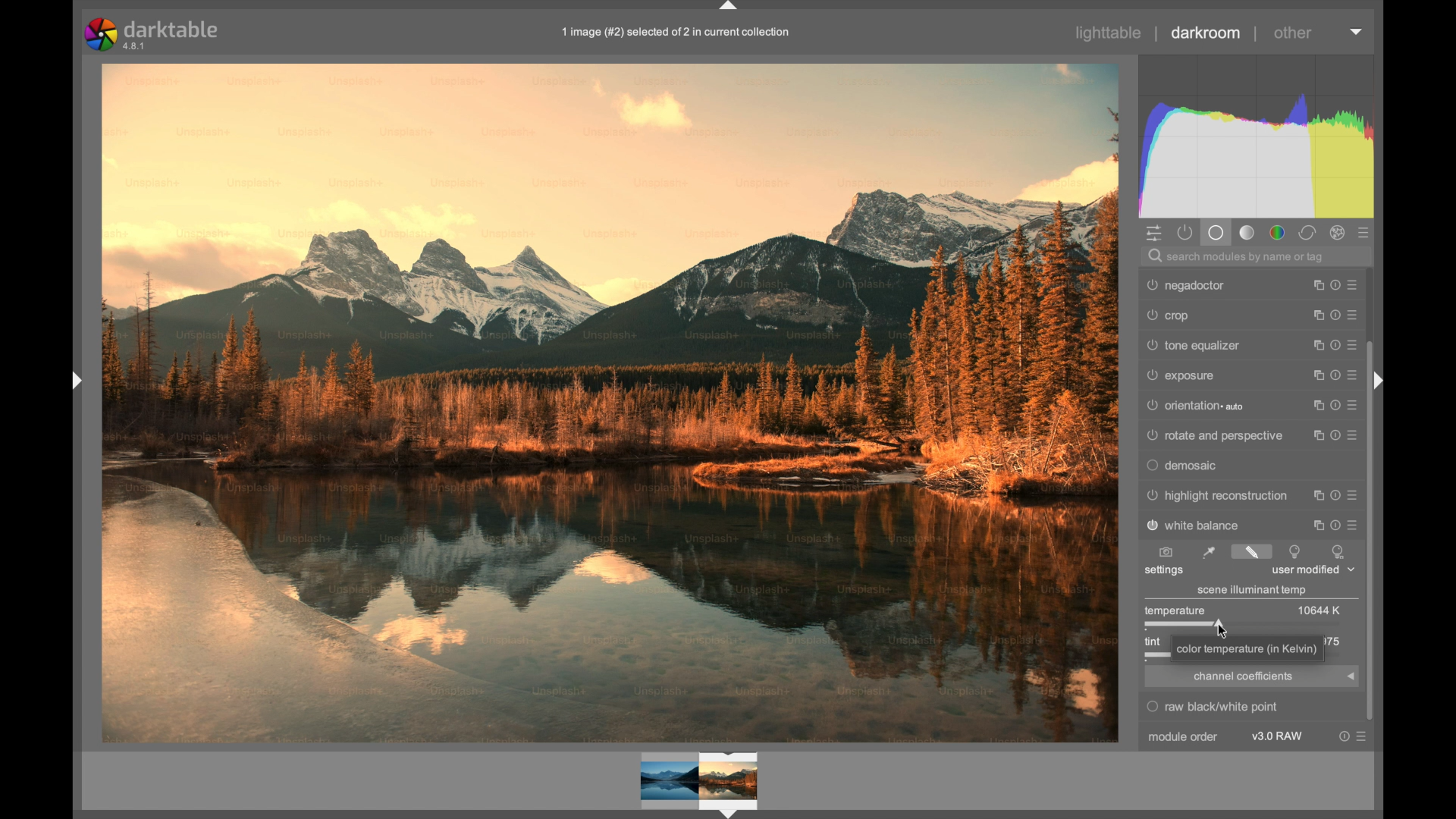  I want to click on instance, so click(1316, 492).